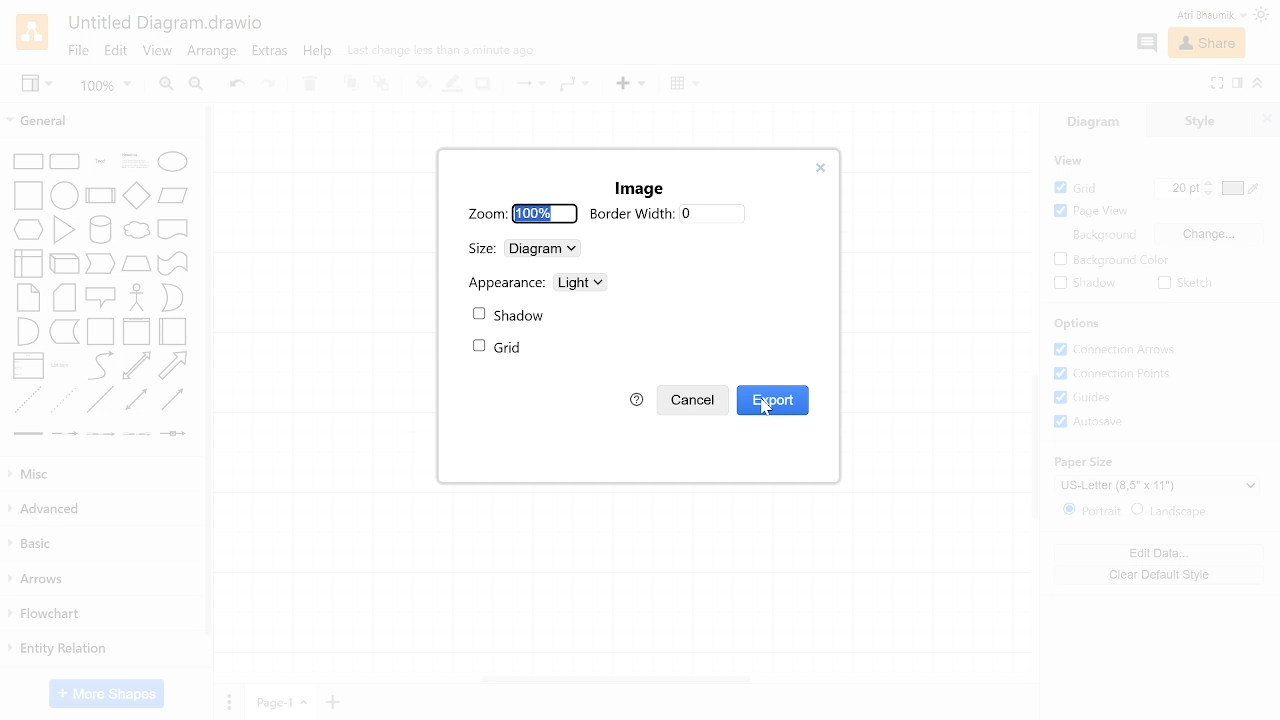 This screenshot has width=1280, height=720. What do you see at coordinates (691, 212) in the screenshot?
I see `0` at bounding box center [691, 212].